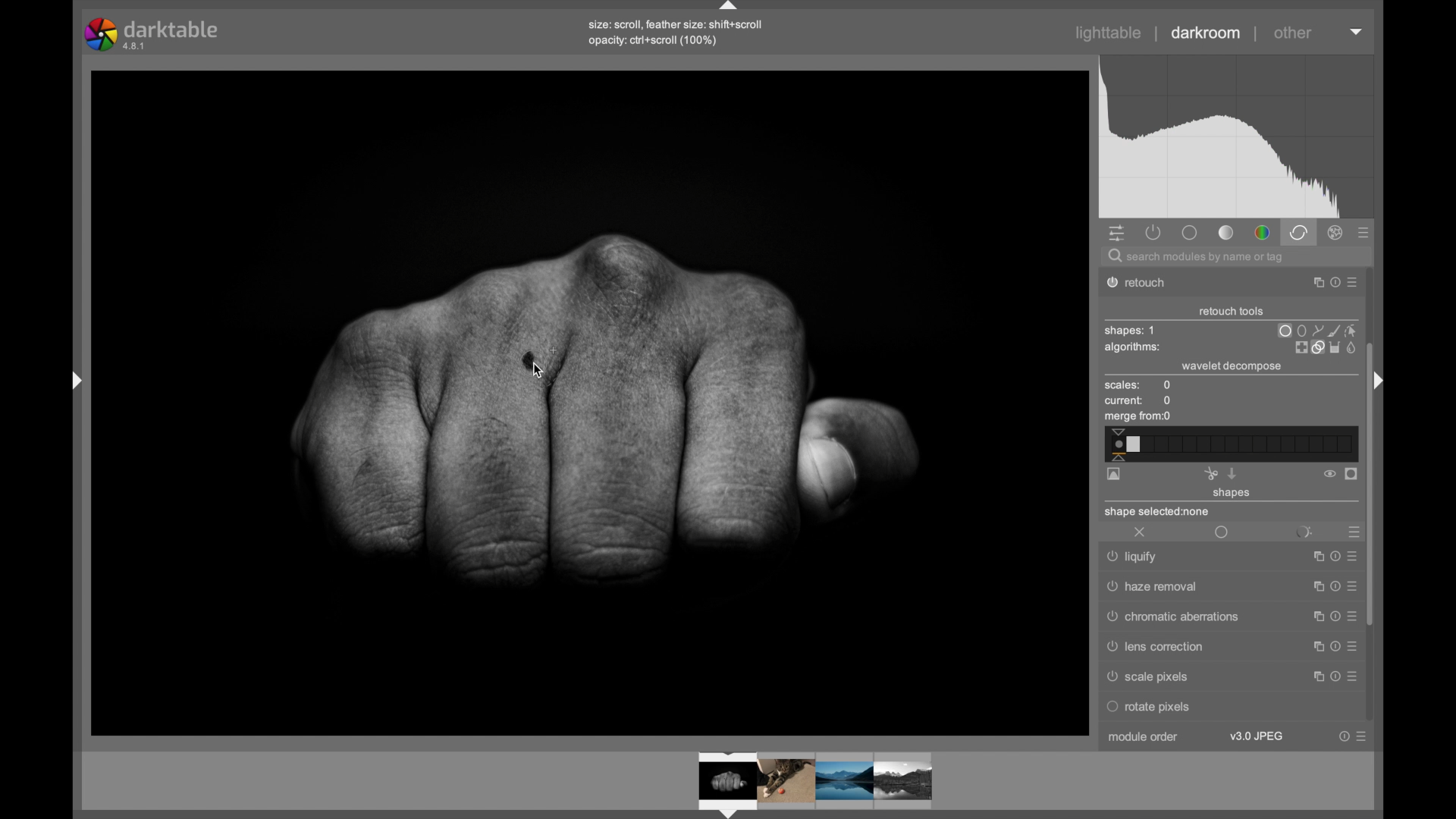  I want to click on current 0, so click(1139, 401).